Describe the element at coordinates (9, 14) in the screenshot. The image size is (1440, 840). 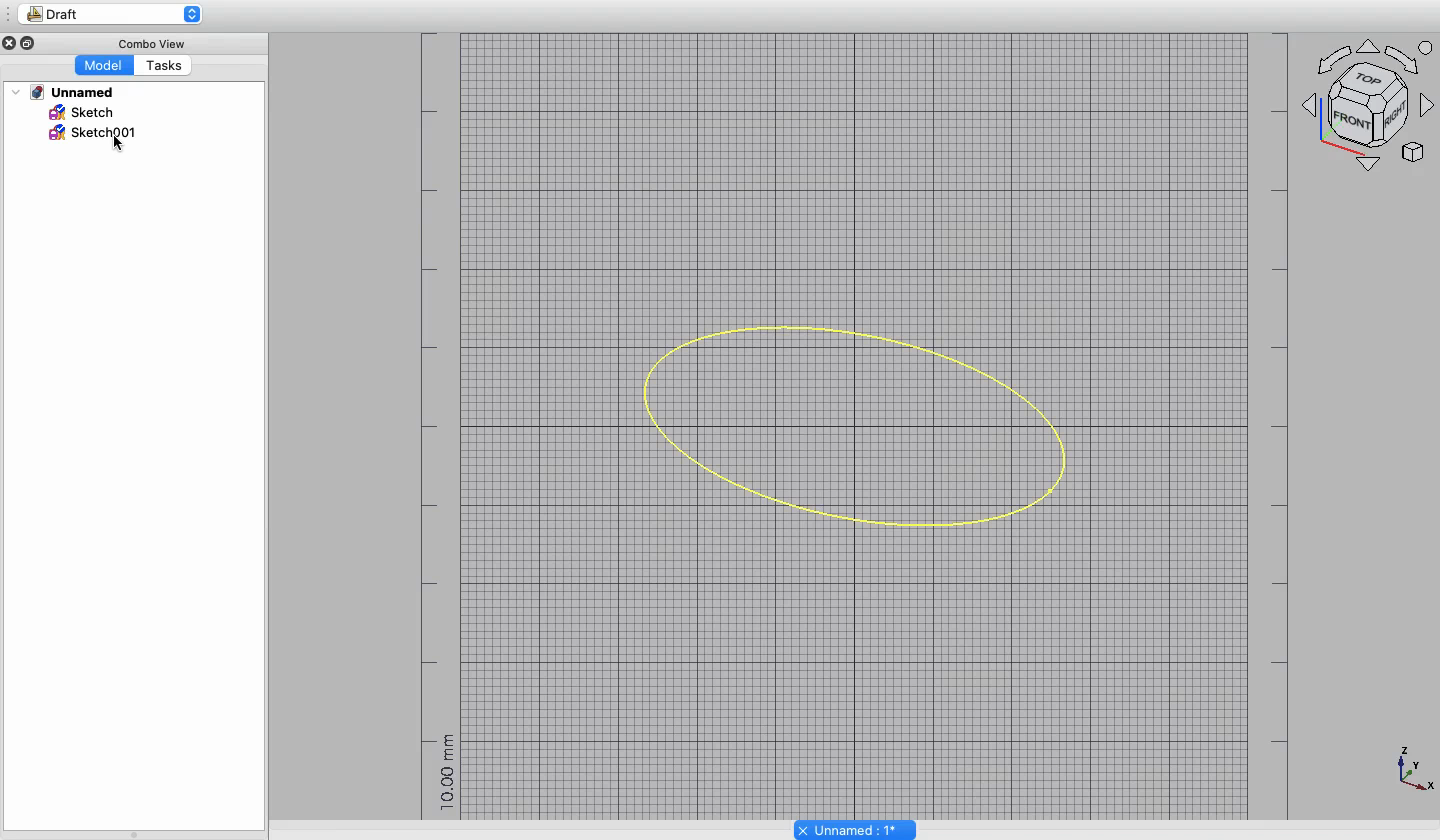
I see `Sidebar` at that location.